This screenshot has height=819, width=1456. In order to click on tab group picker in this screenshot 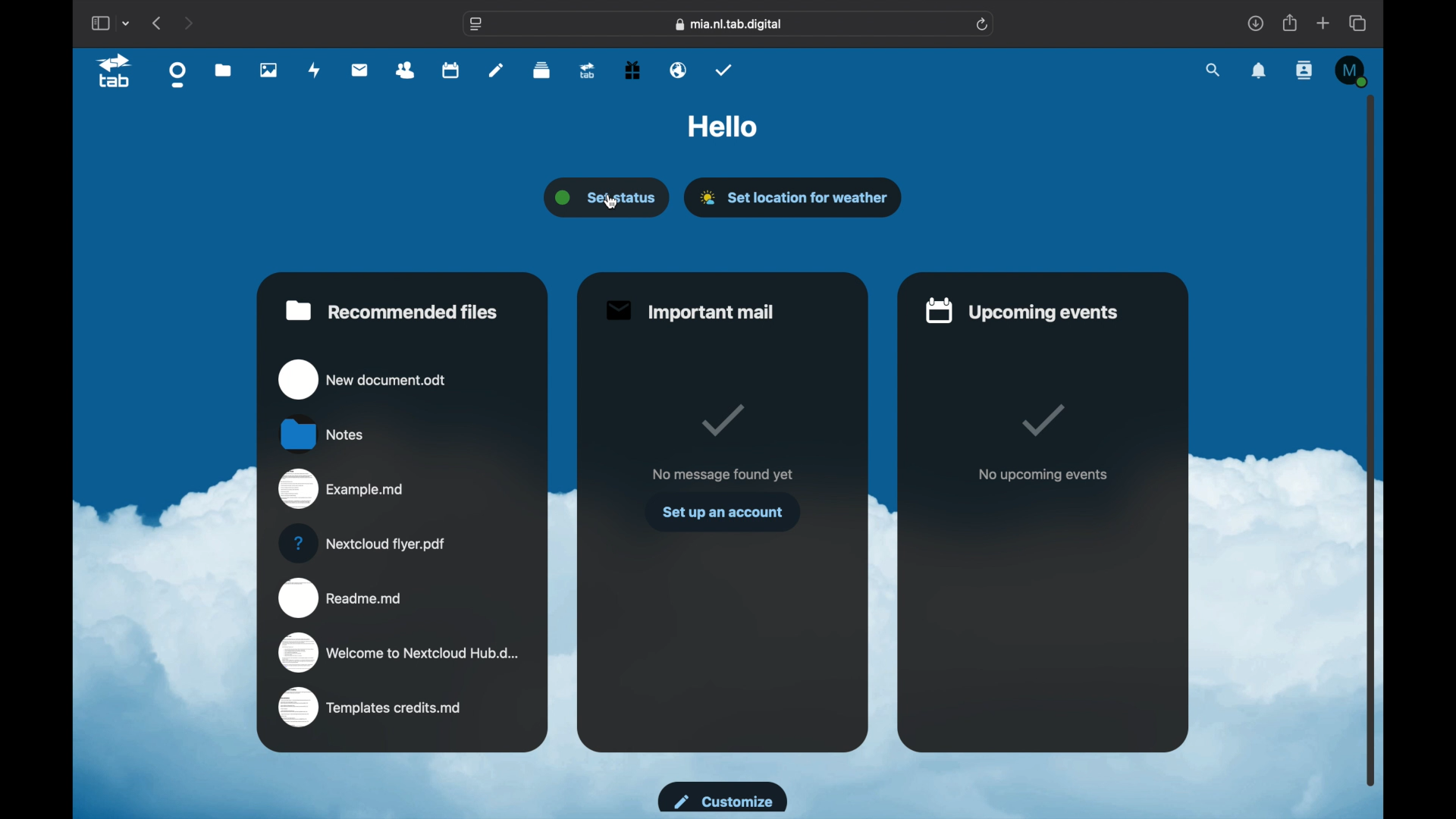, I will do `click(127, 23)`.